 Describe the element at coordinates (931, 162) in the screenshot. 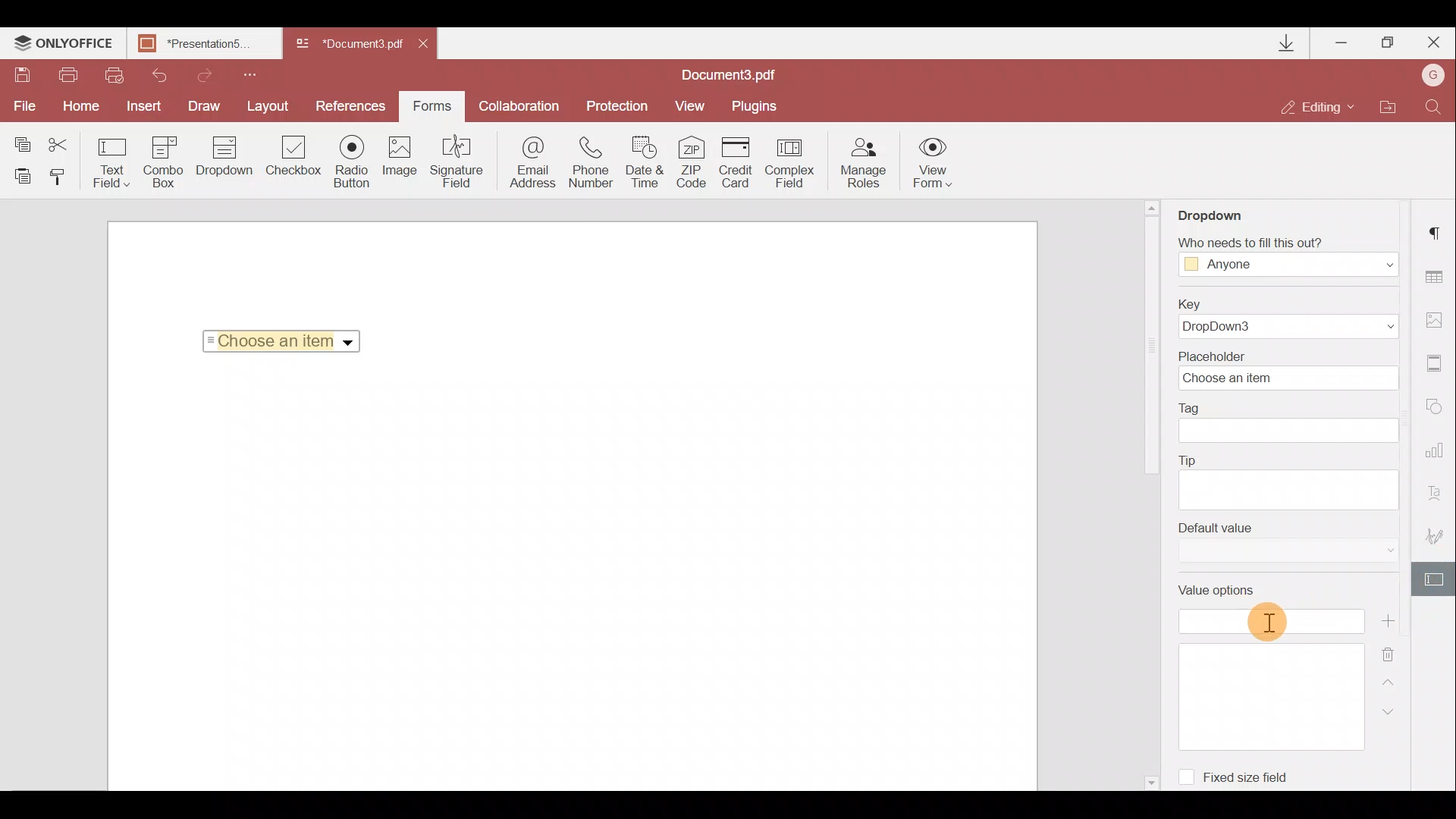

I see `View form` at that location.